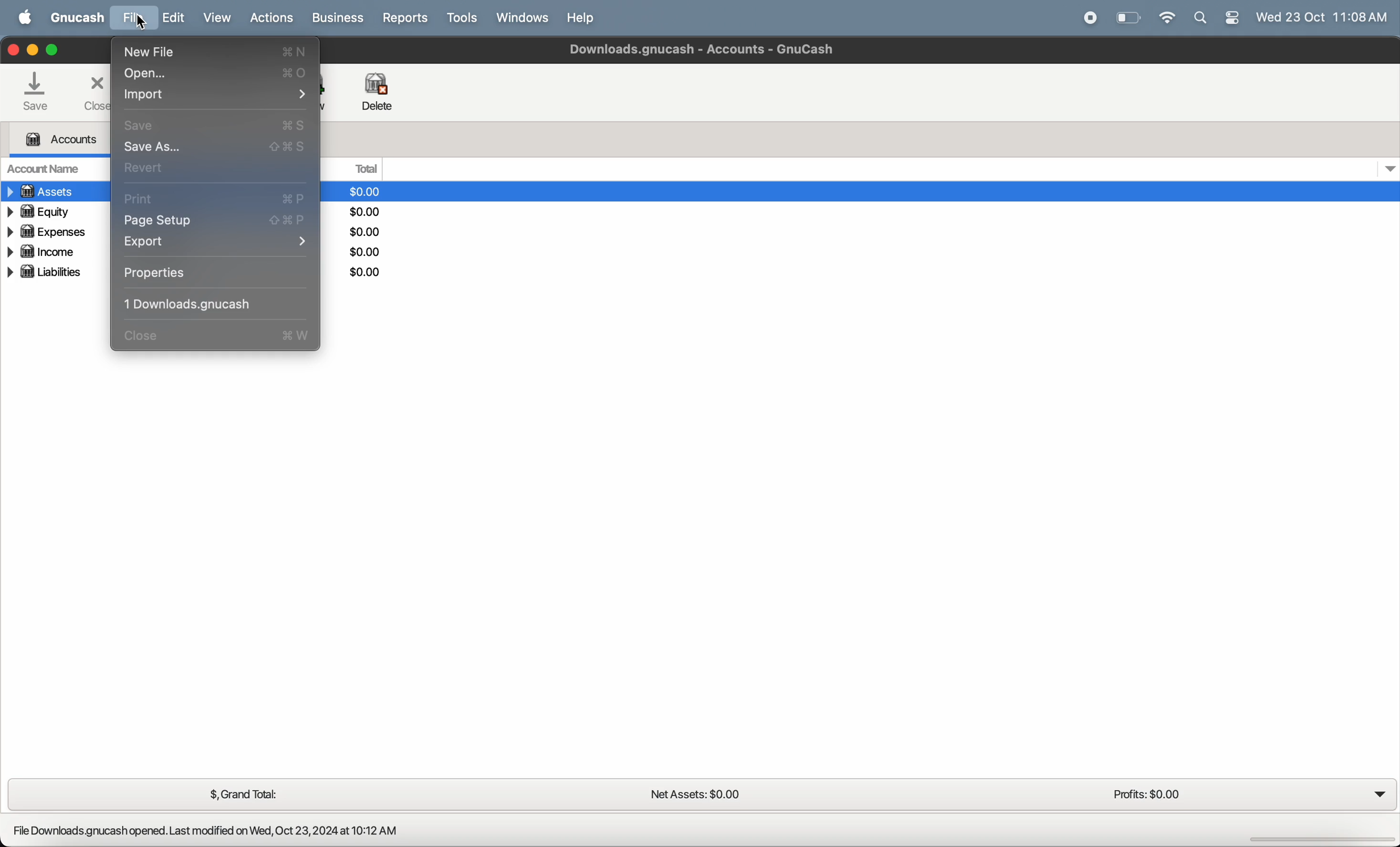 Image resolution: width=1400 pixels, height=847 pixels. What do you see at coordinates (14, 48) in the screenshot?
I see `closing window` at bounding box center [14, 48].